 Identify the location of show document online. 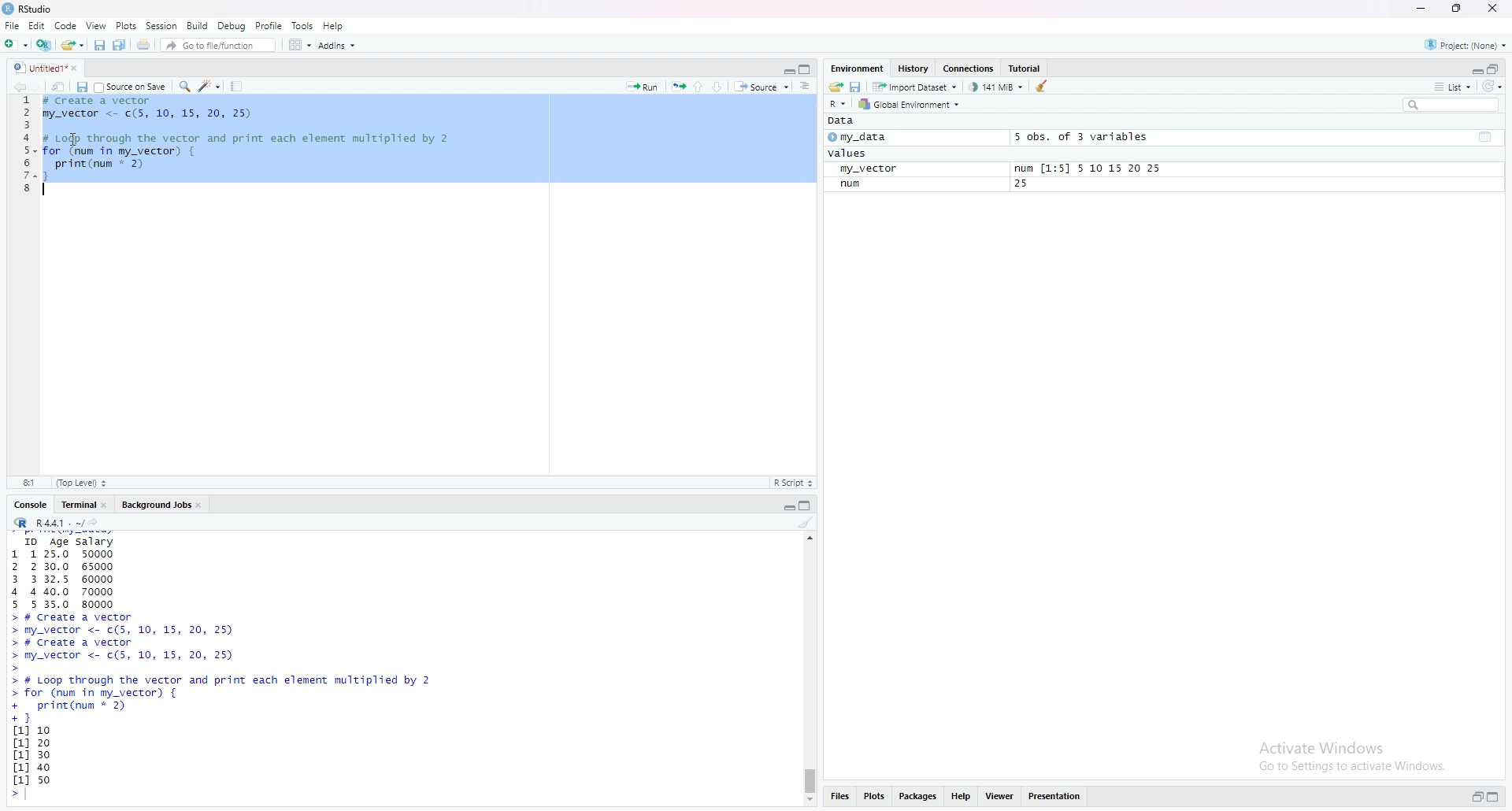
(810, 87).